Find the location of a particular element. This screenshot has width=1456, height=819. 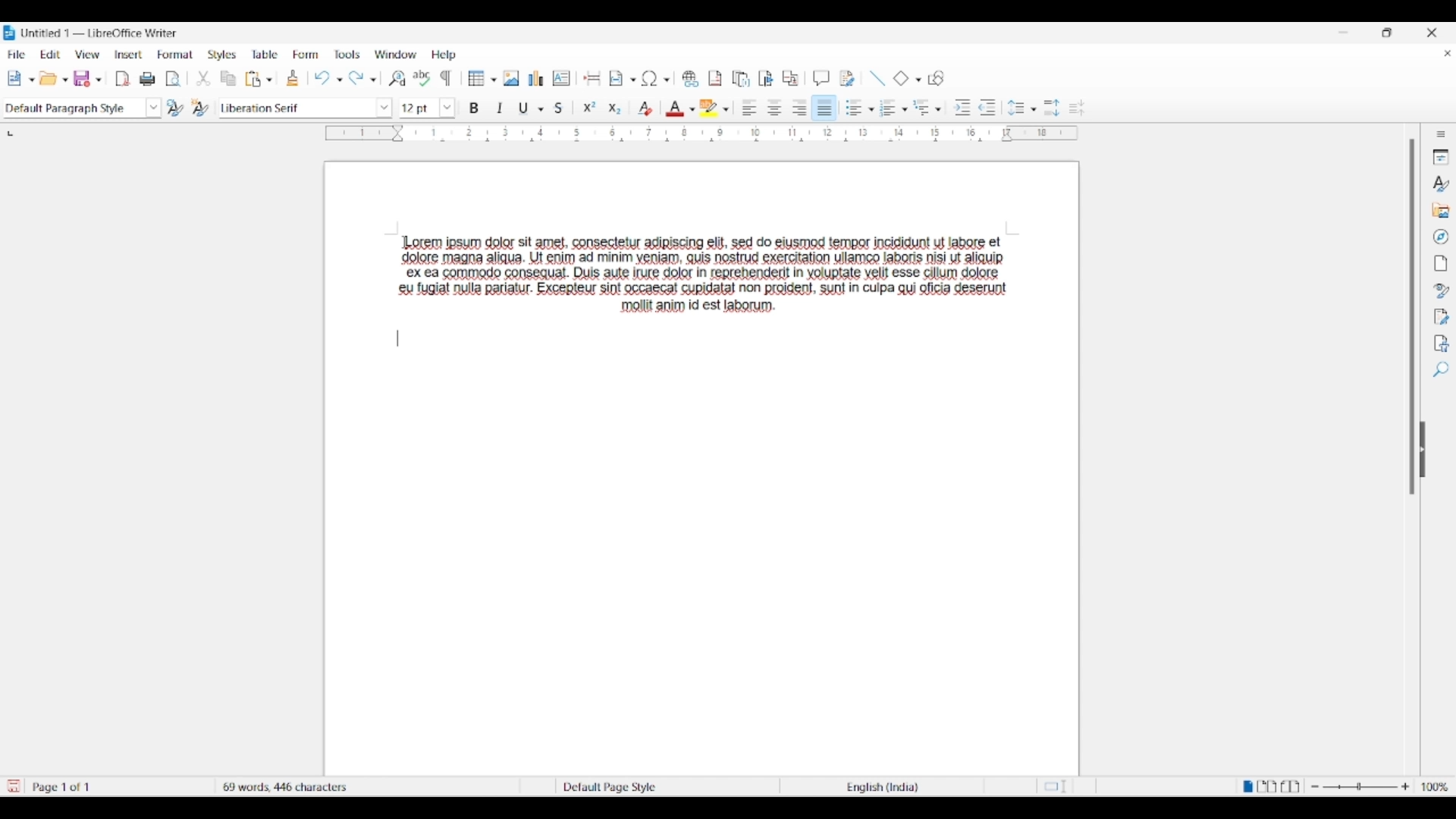

Slider to Zoom in/out is located at coordinates (1360, 786).